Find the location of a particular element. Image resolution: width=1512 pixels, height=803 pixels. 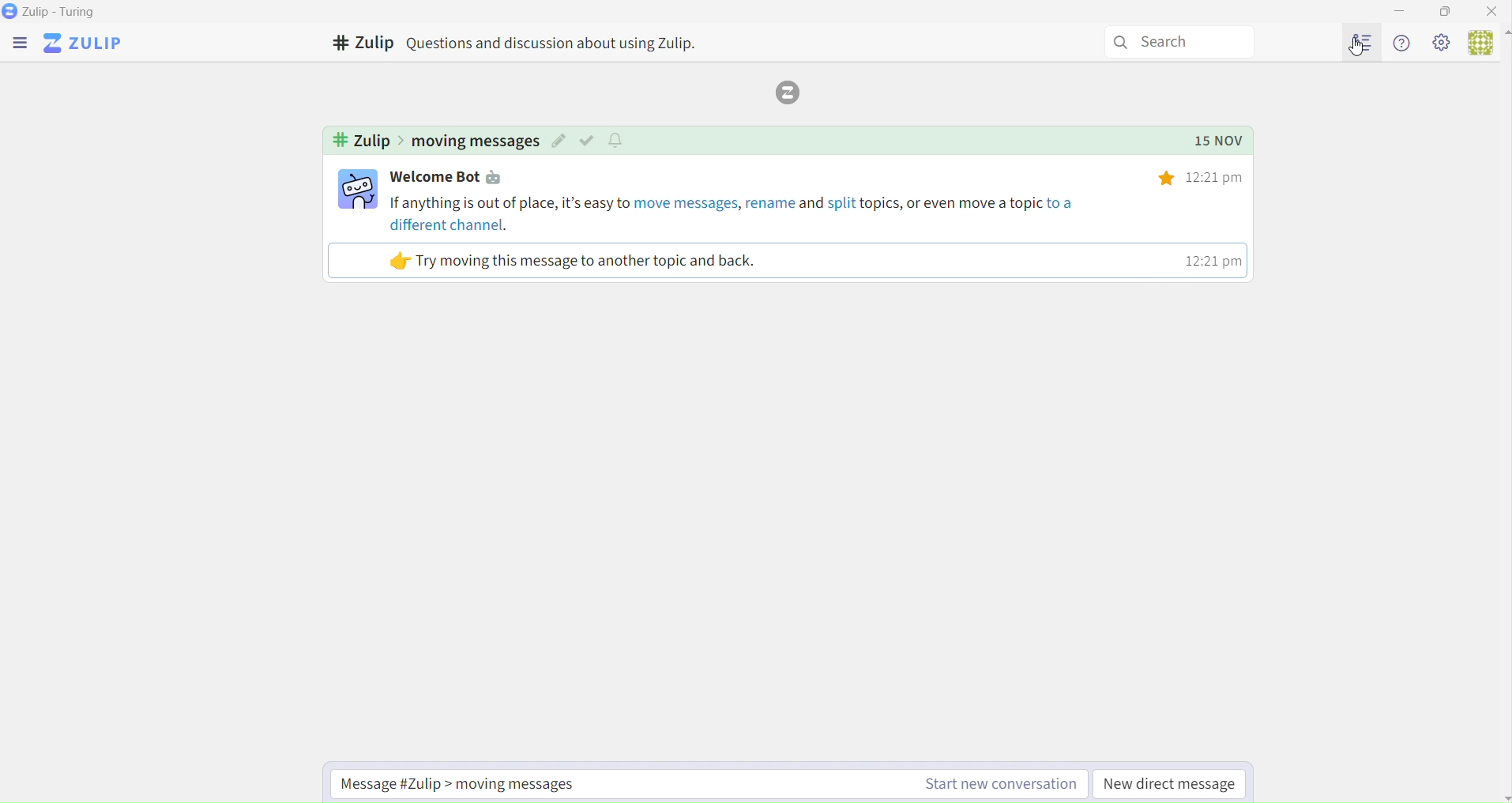

cursor is located at coordinates (1356, 51).